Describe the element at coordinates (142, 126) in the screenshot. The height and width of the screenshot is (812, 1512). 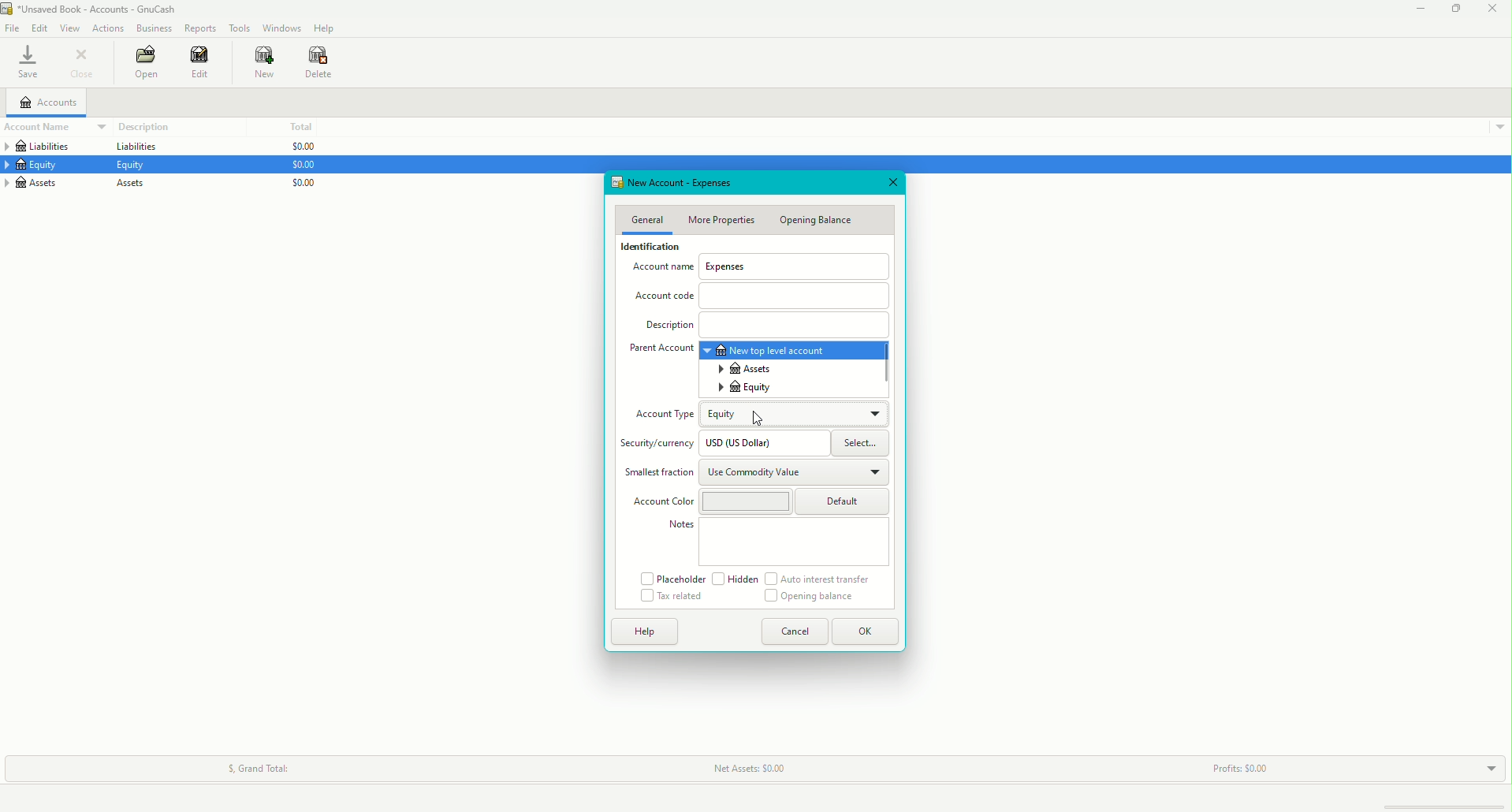
I see `Description` at that location.